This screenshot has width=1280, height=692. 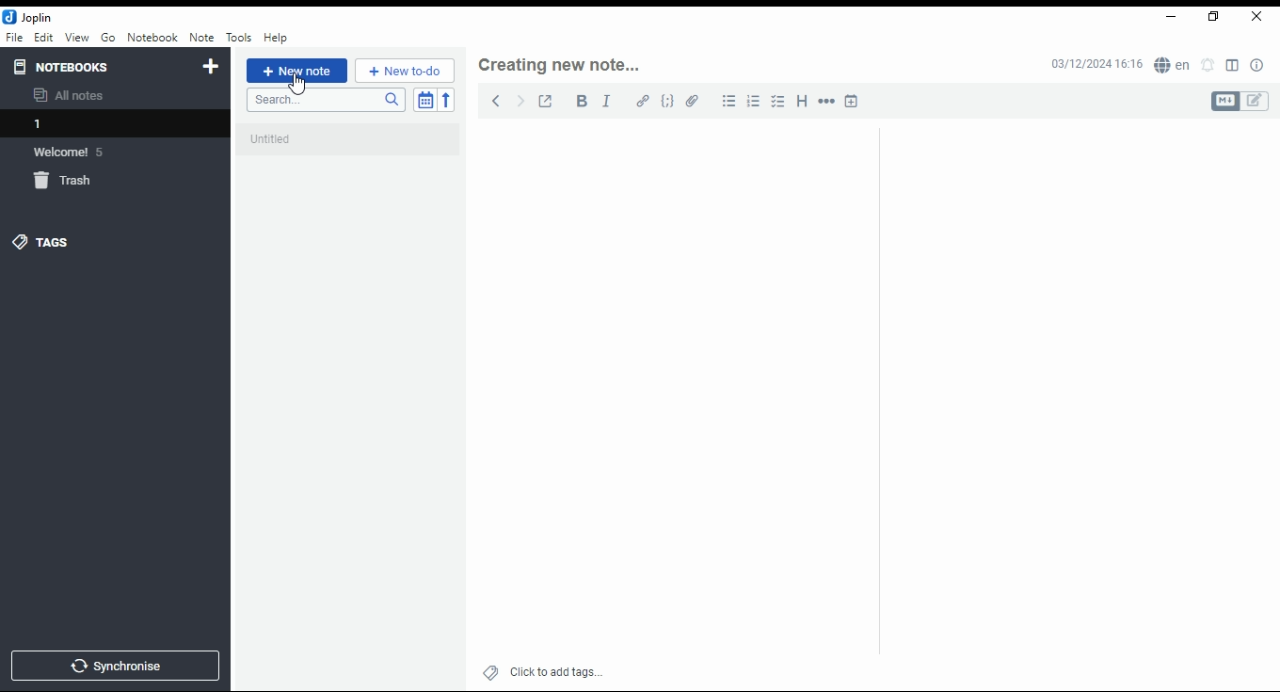 What do you see at coordinates (73, 151) in the screenshot?
I see `notebook: welcome` at bounding box center [73, 151].